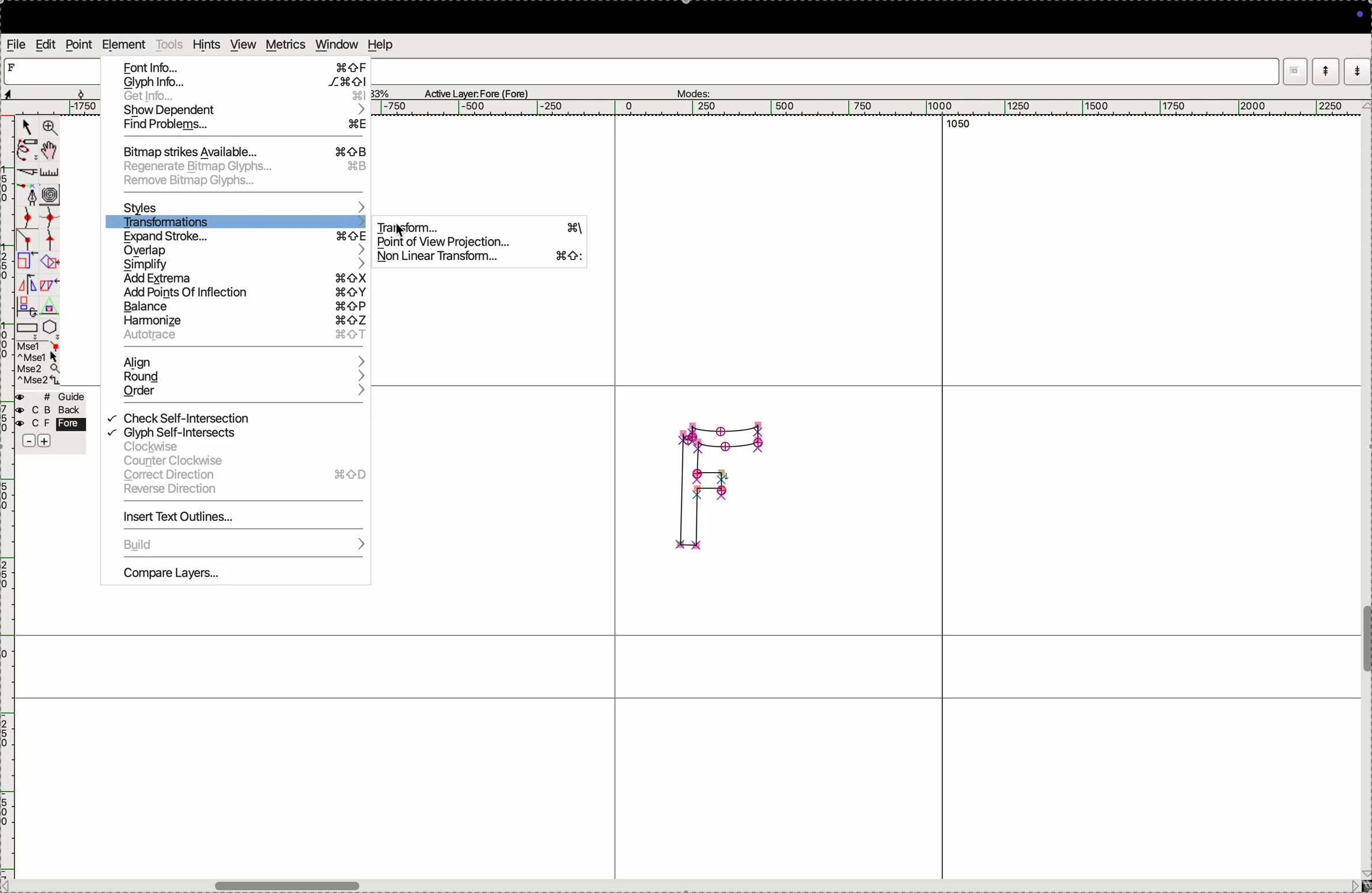 This screenshot has width=1372, height=893. What do you see at coordinates (477, 92) in the screenshot?
I see `Active layer` at bounding box center [477, 92].